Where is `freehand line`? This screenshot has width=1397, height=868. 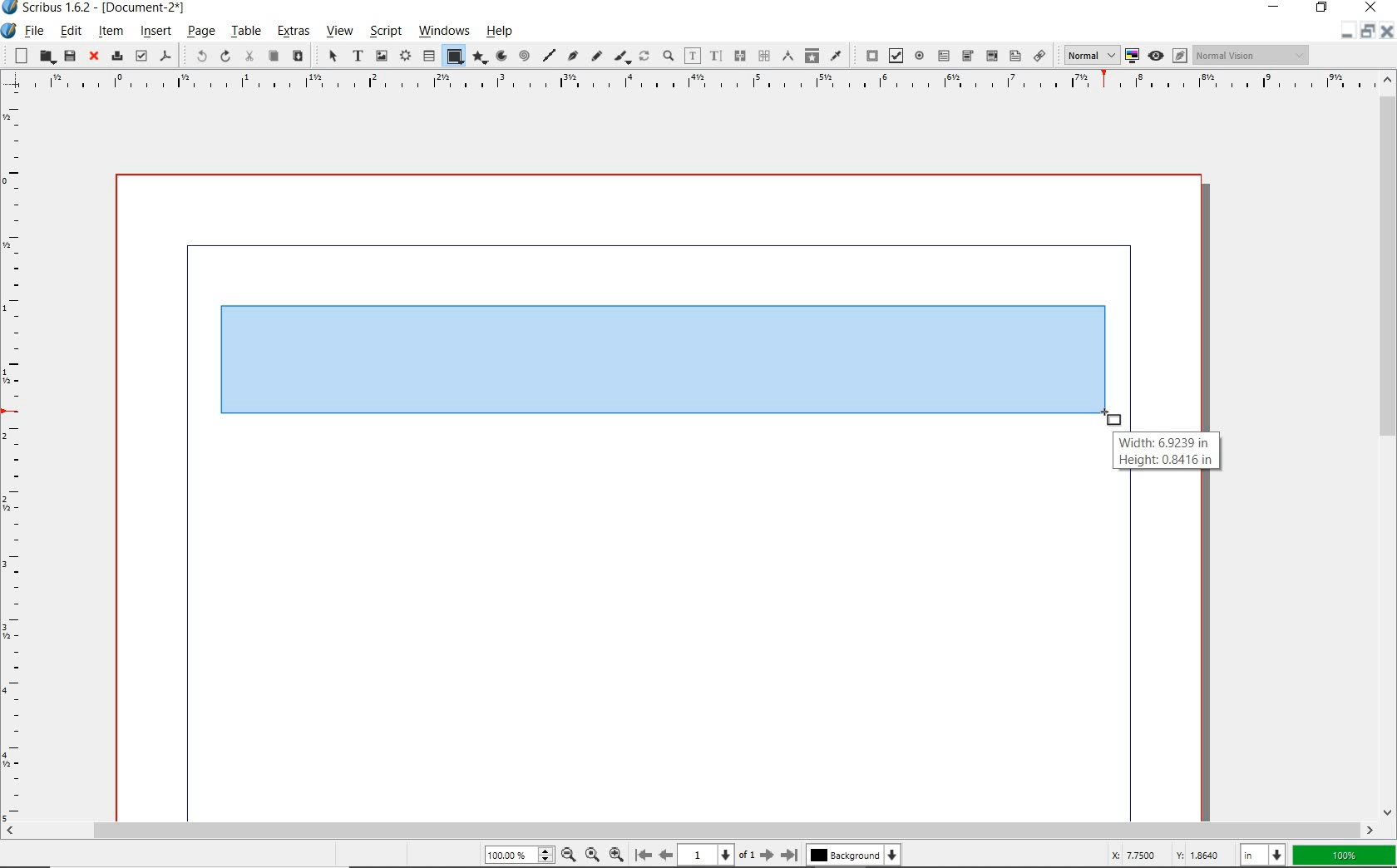
freehand line is located at coordinates (596, 57).